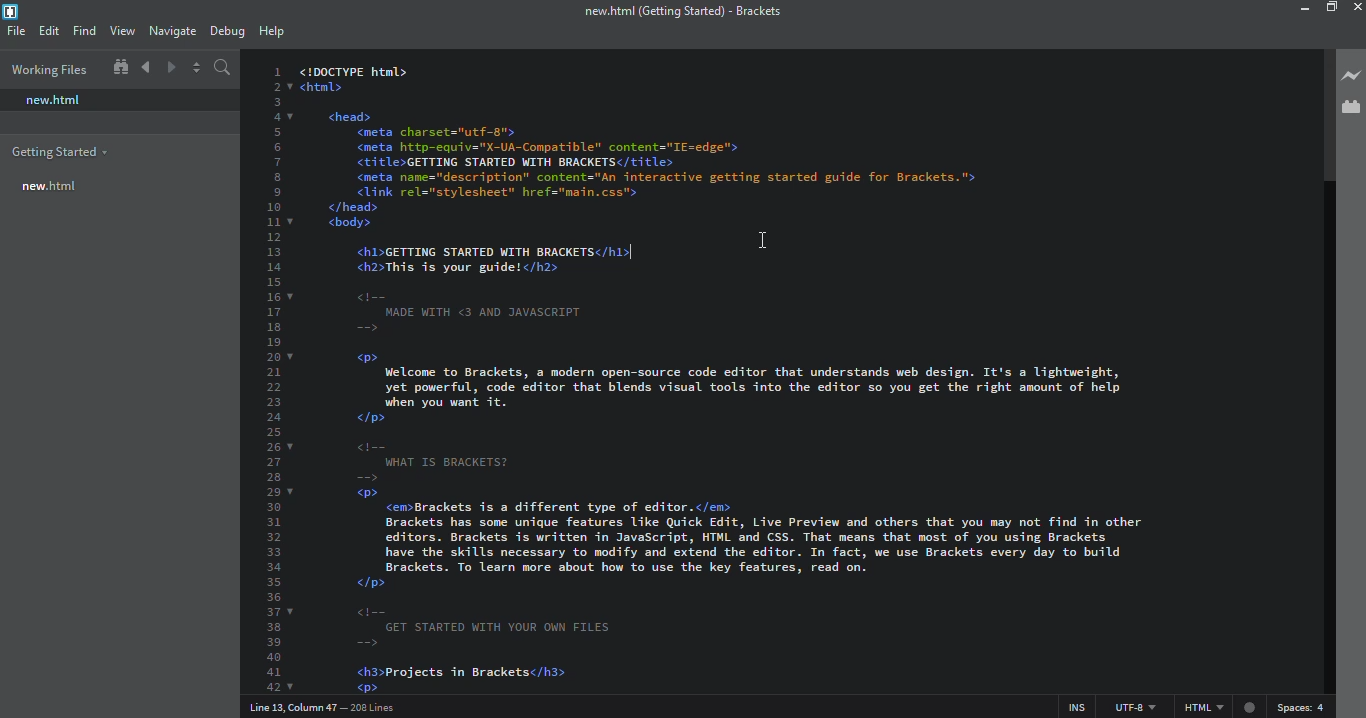 The image size is (1366, 718). I want to click on brackets, so click(681, 10).